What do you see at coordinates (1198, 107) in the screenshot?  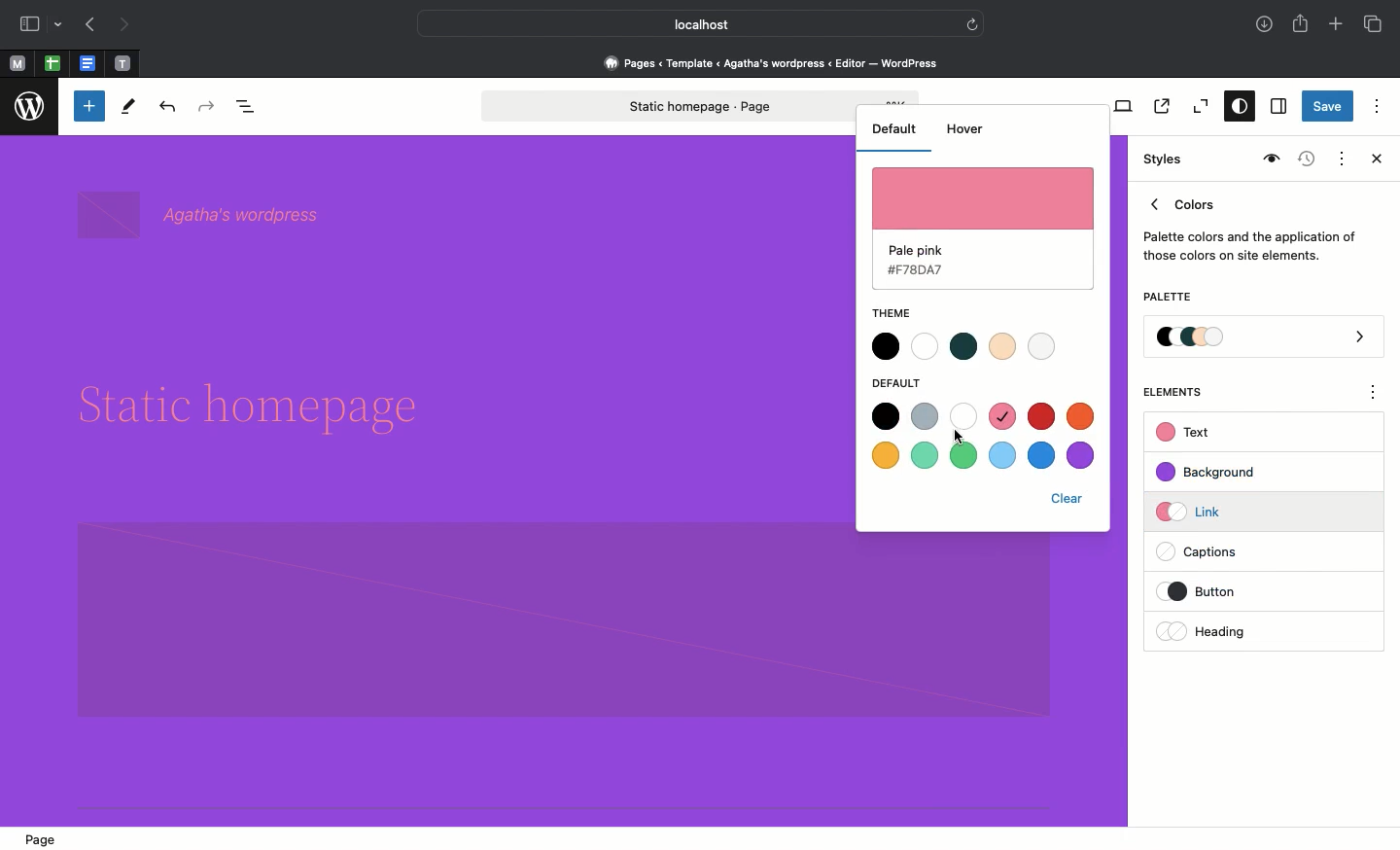 I see `Zoom out` at bounding box center [1198, 107].